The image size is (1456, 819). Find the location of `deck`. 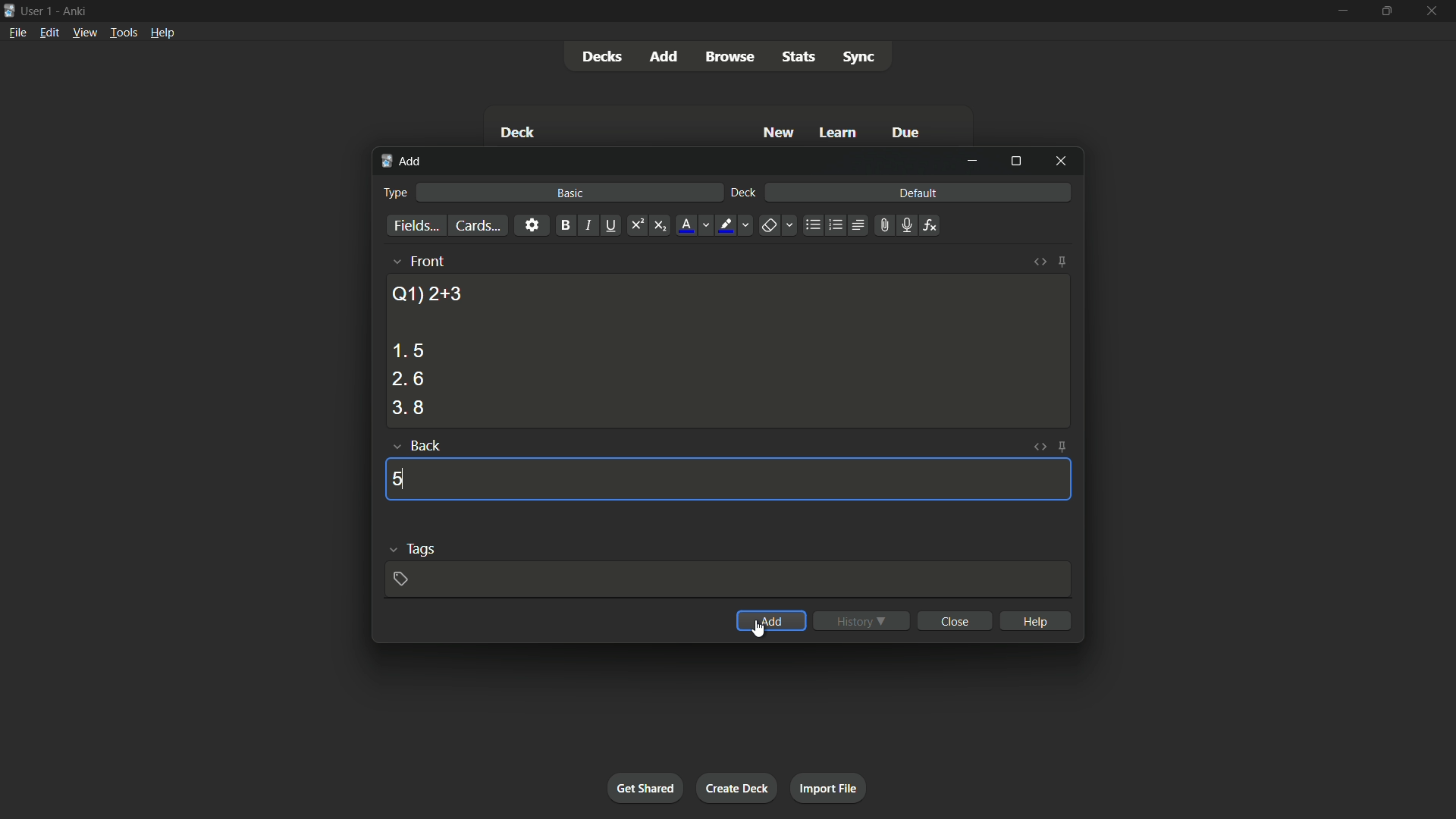

deck is located at coordinates (744, 193).